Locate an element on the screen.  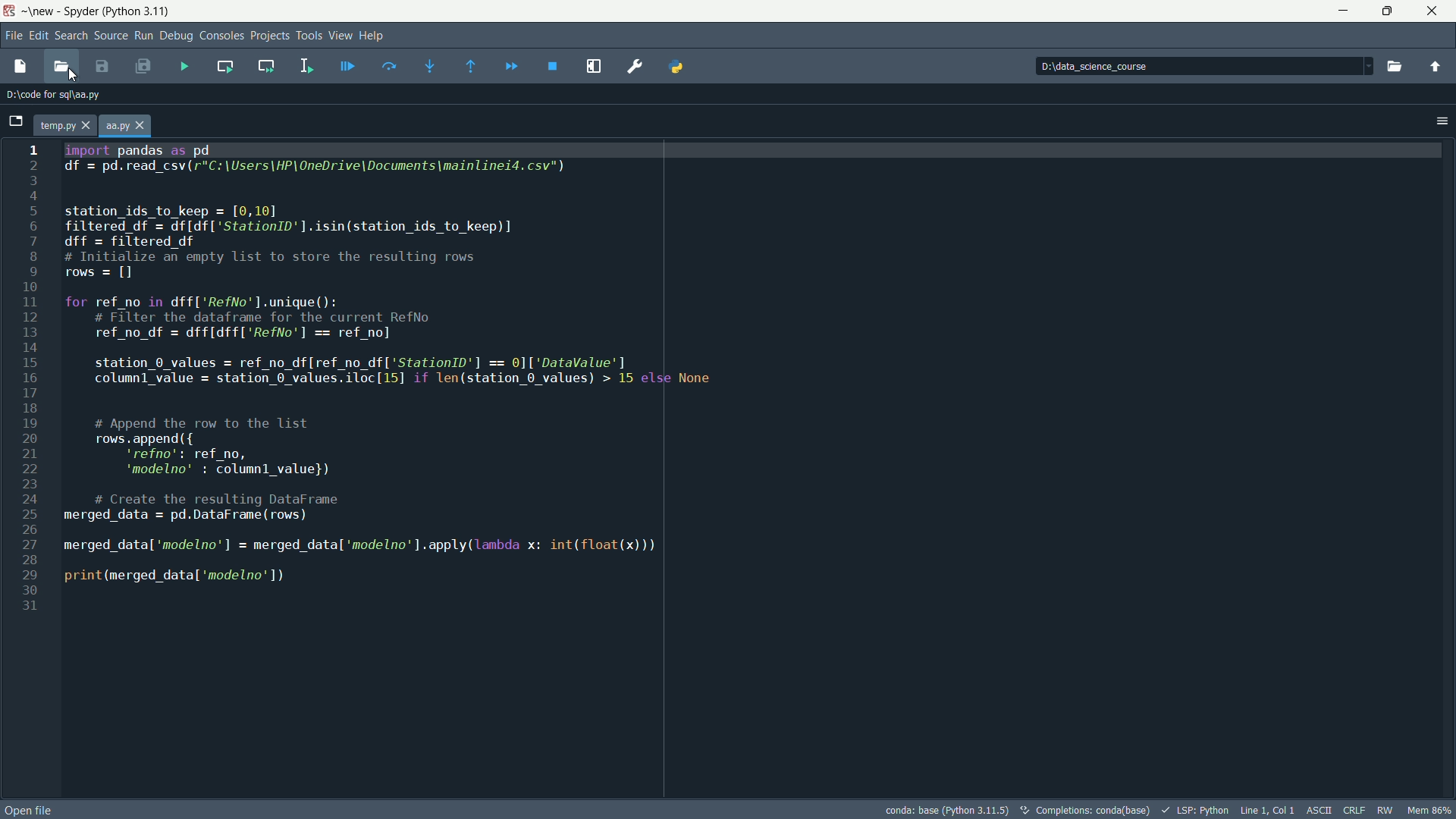
text is located at coordinates (1083, 811).